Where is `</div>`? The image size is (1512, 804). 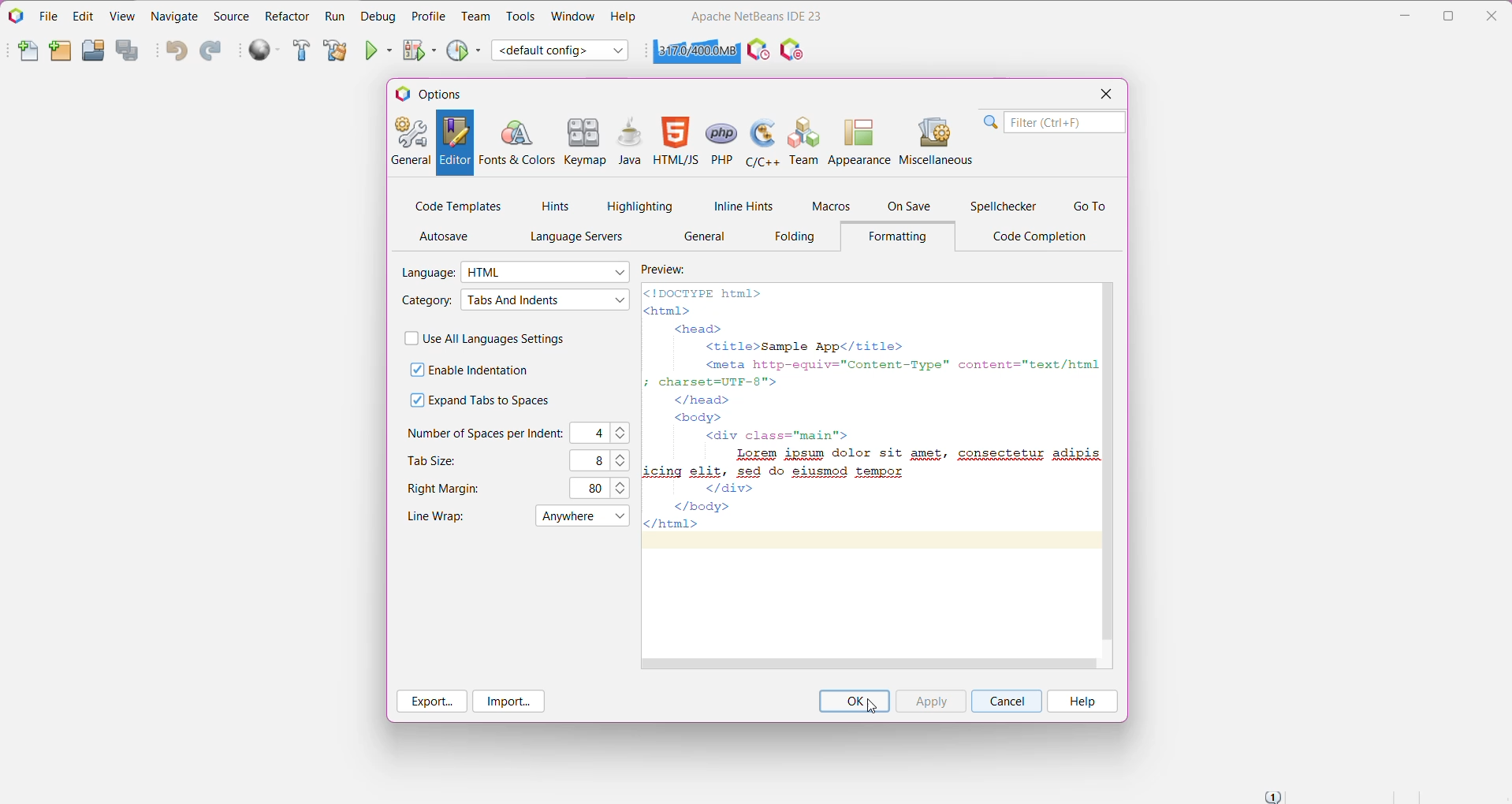
</div> is located at coordinates (732, 487).